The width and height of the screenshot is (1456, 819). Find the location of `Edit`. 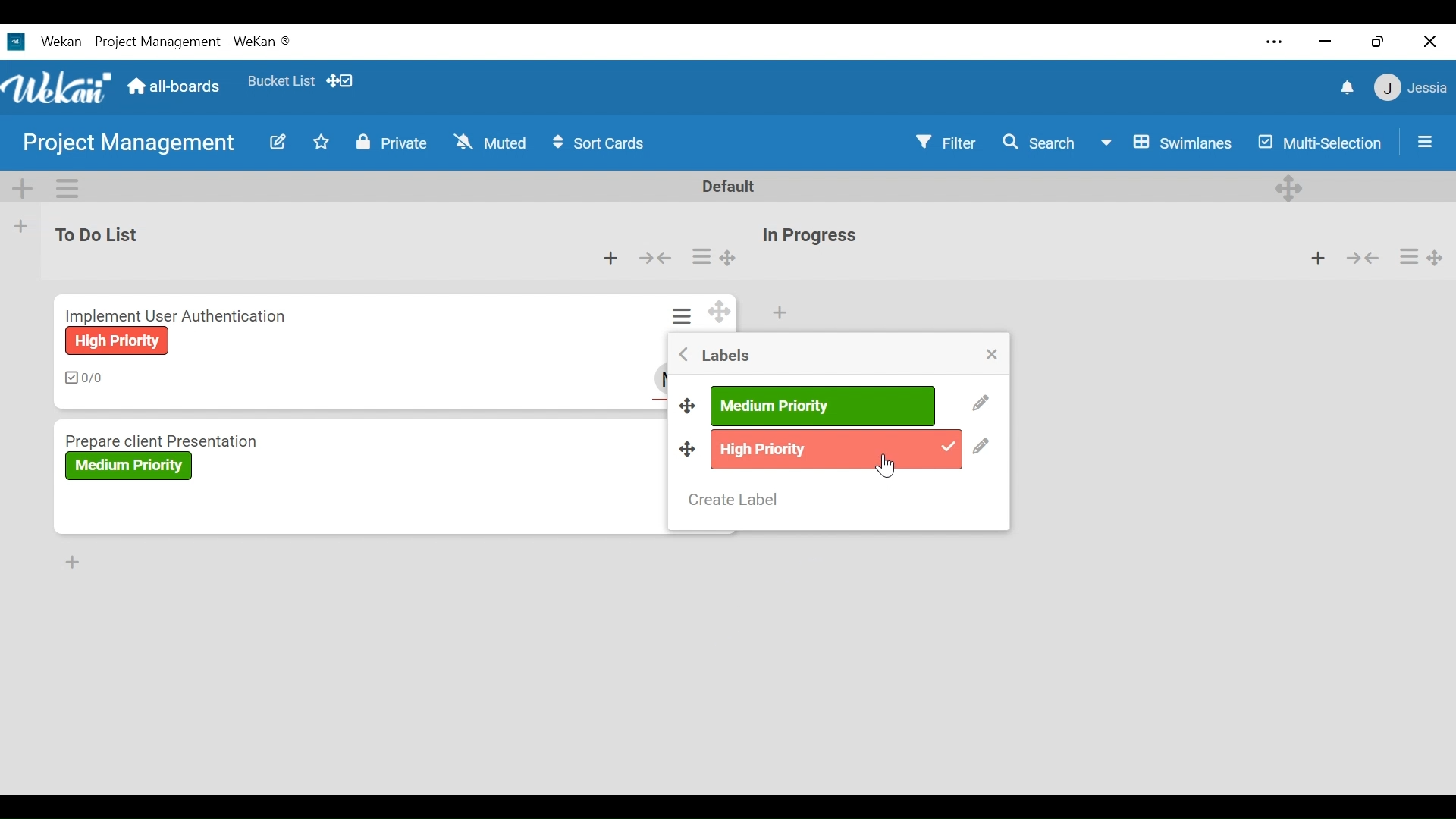

Edit is located at coordinates (980, 403).